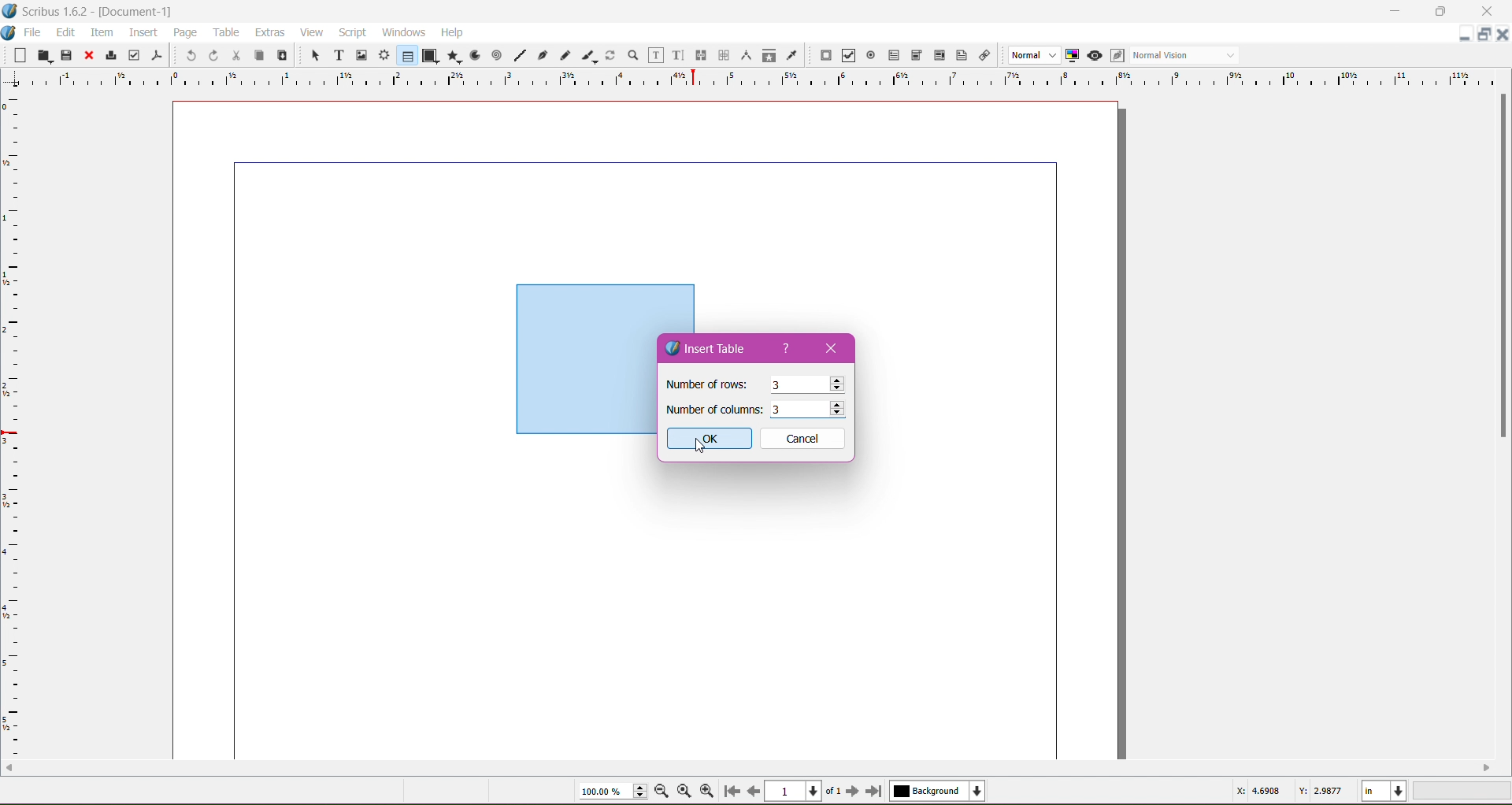 The width and height of the screenshot is (1512, 805). What do you see at coordinates (1116, 55) in the screenshot?
I see `Edit in Preview mode` at bounding box center [1116, 55].